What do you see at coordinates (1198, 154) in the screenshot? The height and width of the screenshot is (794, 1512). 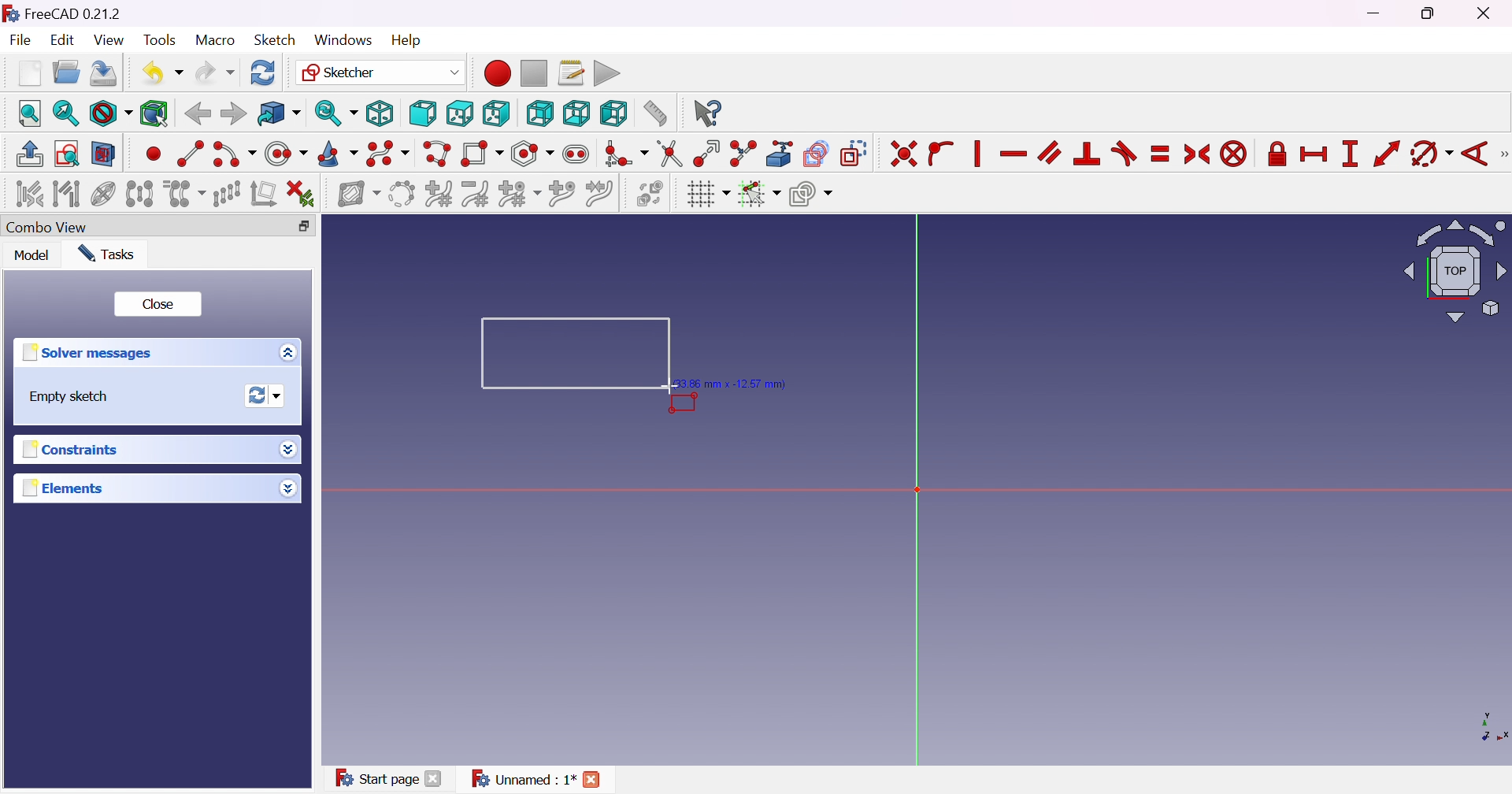 I see `Constrain symmertical` at bounding box center [1198, 154].